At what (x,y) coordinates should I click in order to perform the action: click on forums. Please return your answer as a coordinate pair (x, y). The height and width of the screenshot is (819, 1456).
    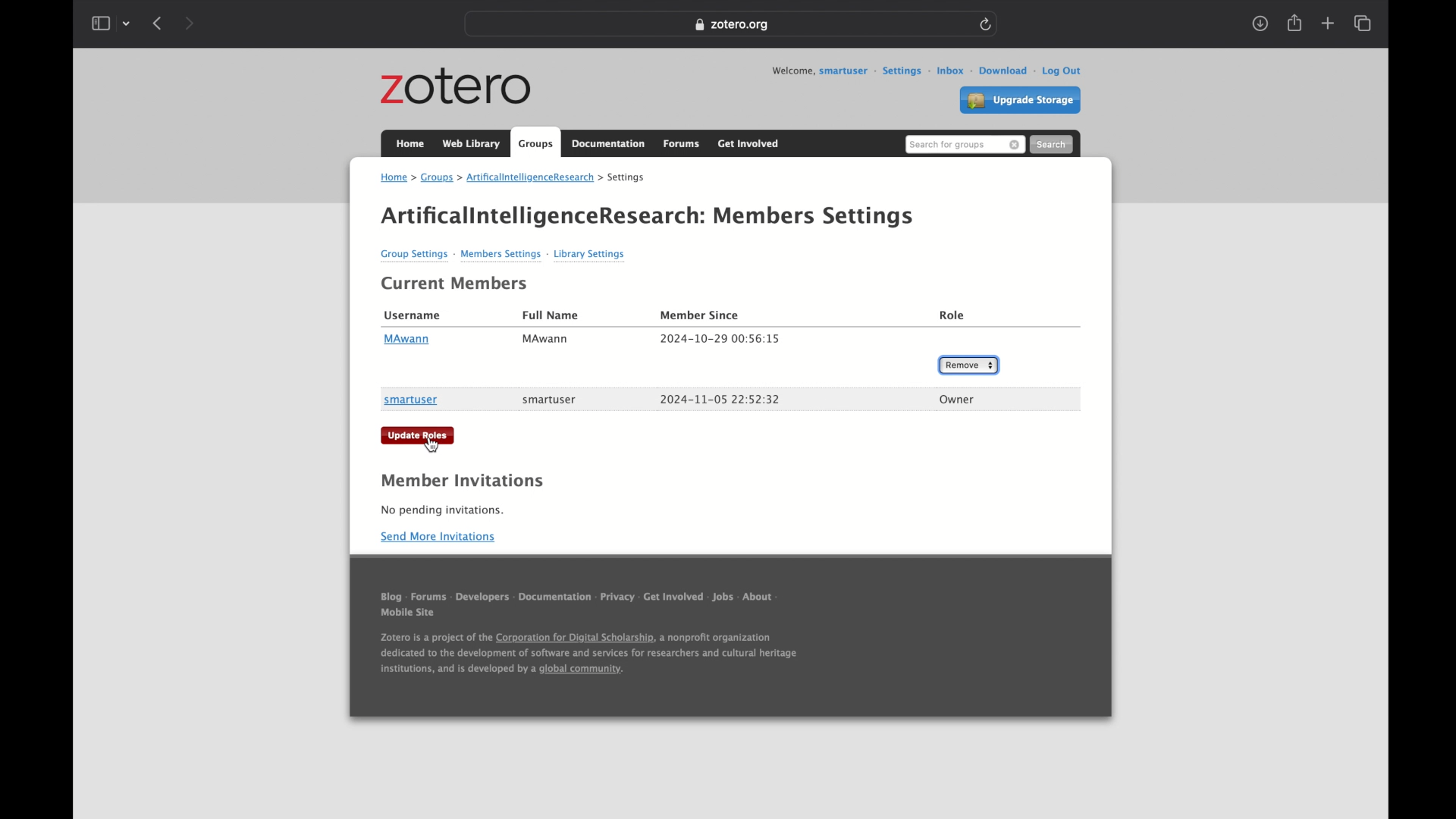
    Looking at the image, I should click on (428, 600).